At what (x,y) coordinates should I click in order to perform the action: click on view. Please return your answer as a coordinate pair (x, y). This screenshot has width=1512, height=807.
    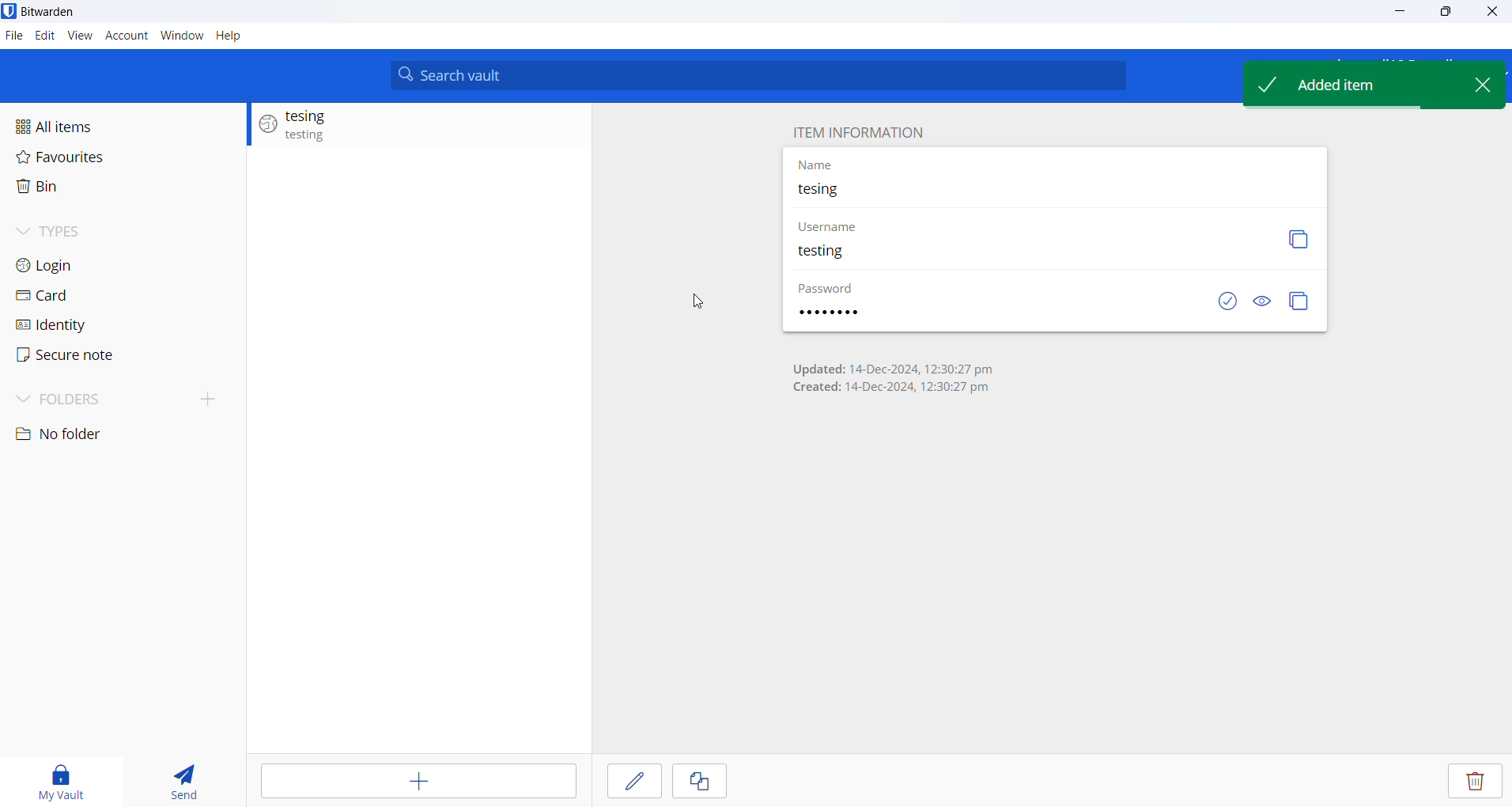
    Looking at the image, I should click on (80, 39).